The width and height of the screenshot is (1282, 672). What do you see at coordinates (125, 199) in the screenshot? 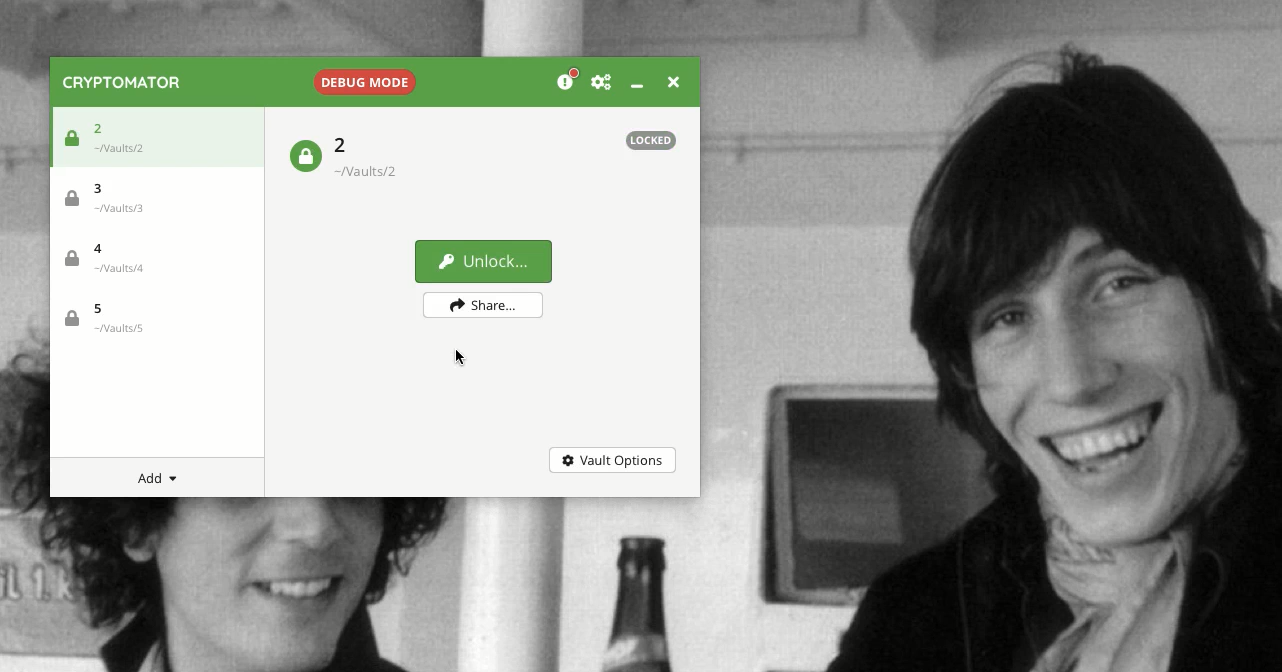
I see `Vault 3` at bounding box center [125, 199].